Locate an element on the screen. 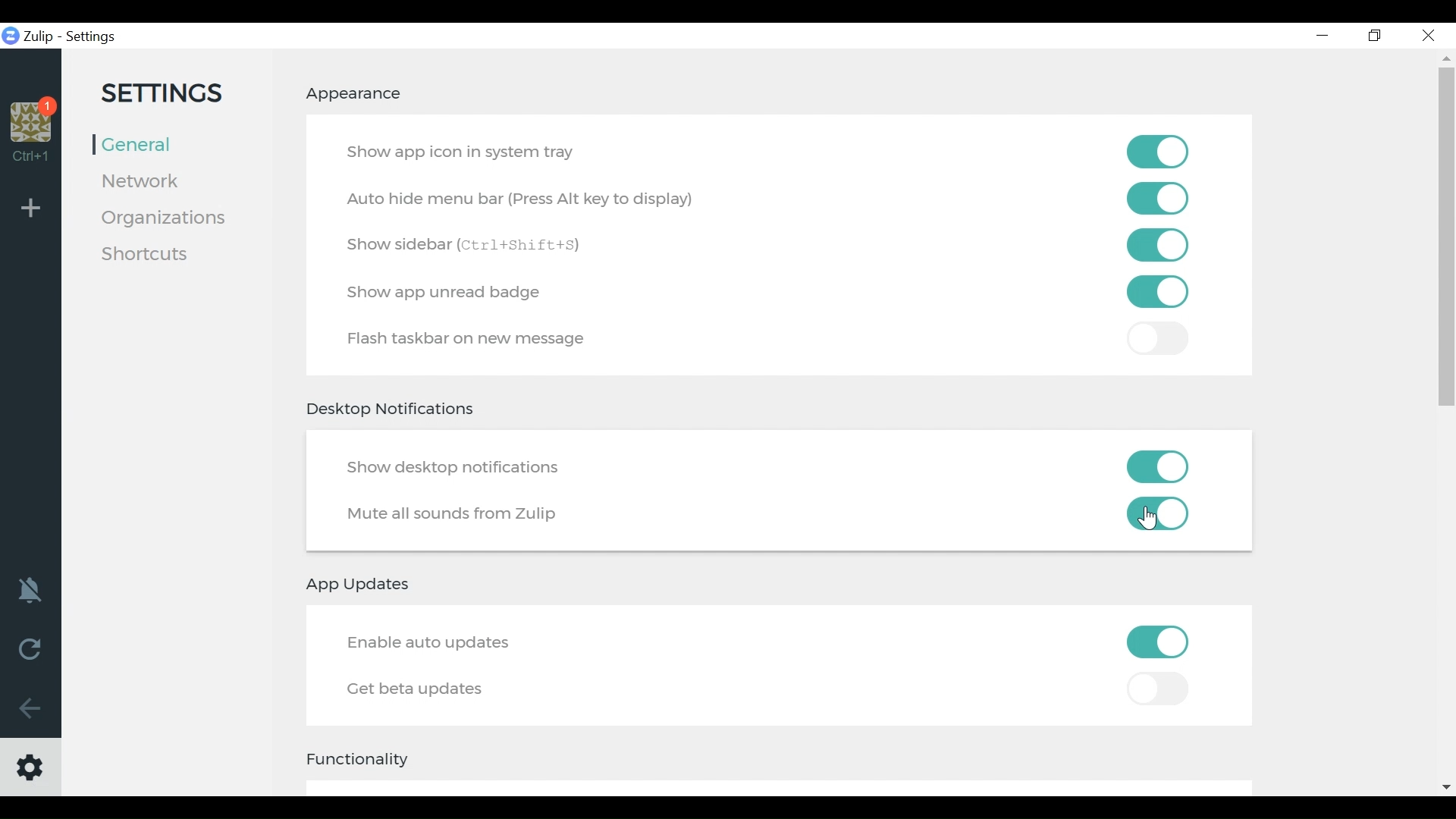 The height and width of the screenshot is (819, 1456). App updates is located at coordinates (362, 584).